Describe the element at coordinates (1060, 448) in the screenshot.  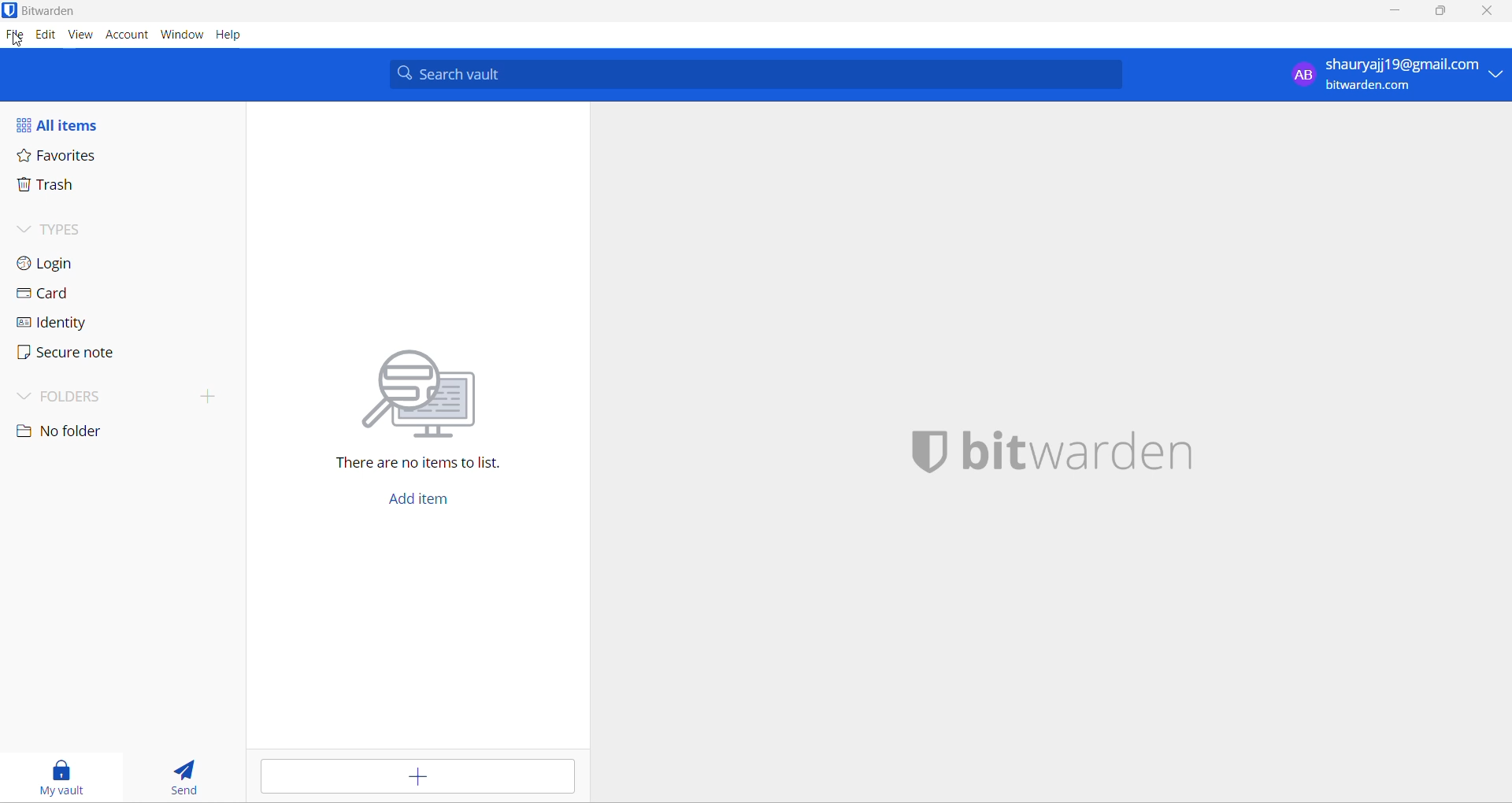
I see `name and logo` at that location.